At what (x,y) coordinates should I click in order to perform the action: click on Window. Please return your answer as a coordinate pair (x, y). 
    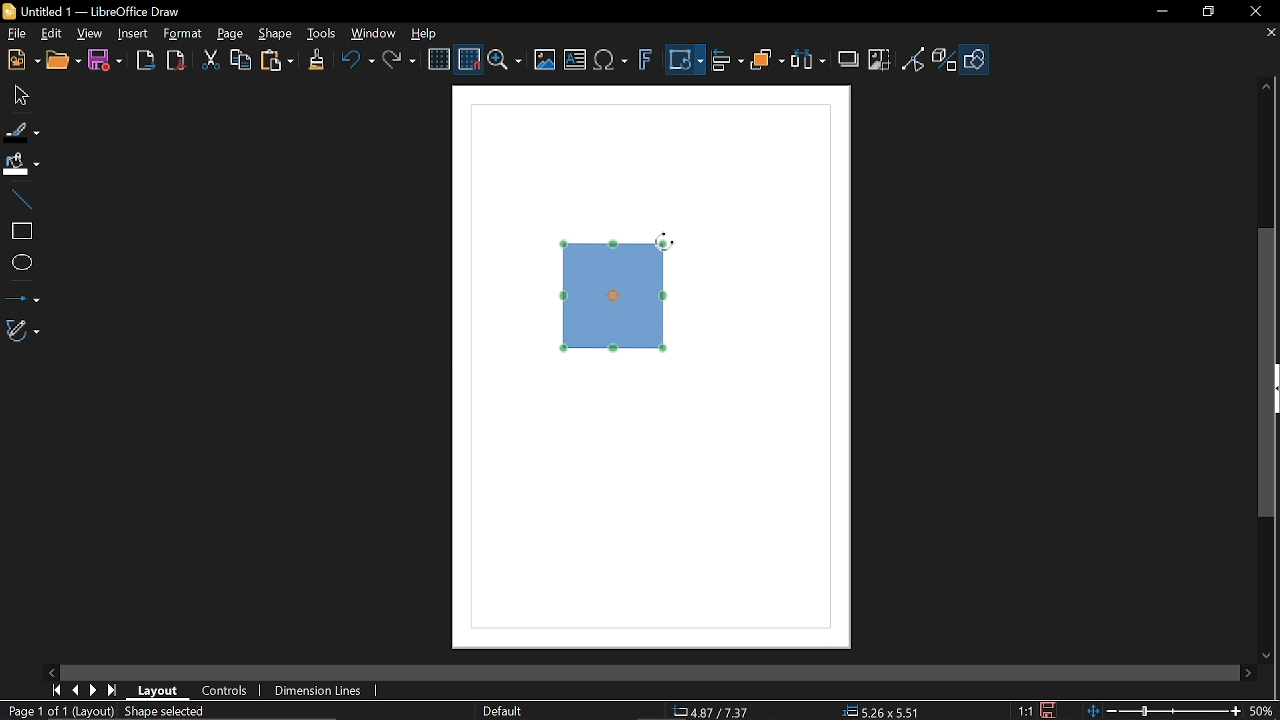
    Looking at the image, I should click on (374, 33).